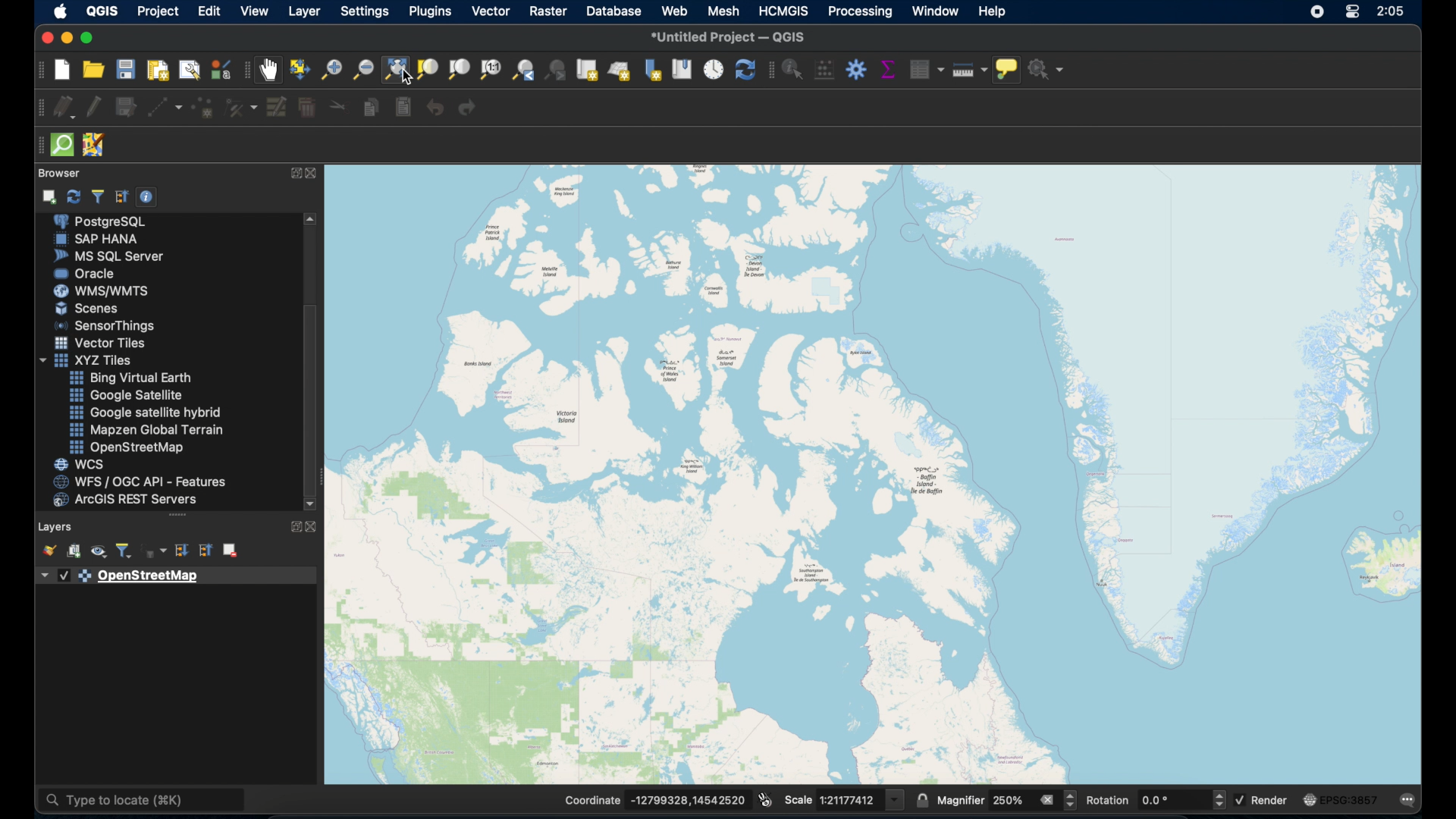  What do you see at coordinates (62, 146) in the screenshot?
I see `quicksom` at bounding box center [62, 146].